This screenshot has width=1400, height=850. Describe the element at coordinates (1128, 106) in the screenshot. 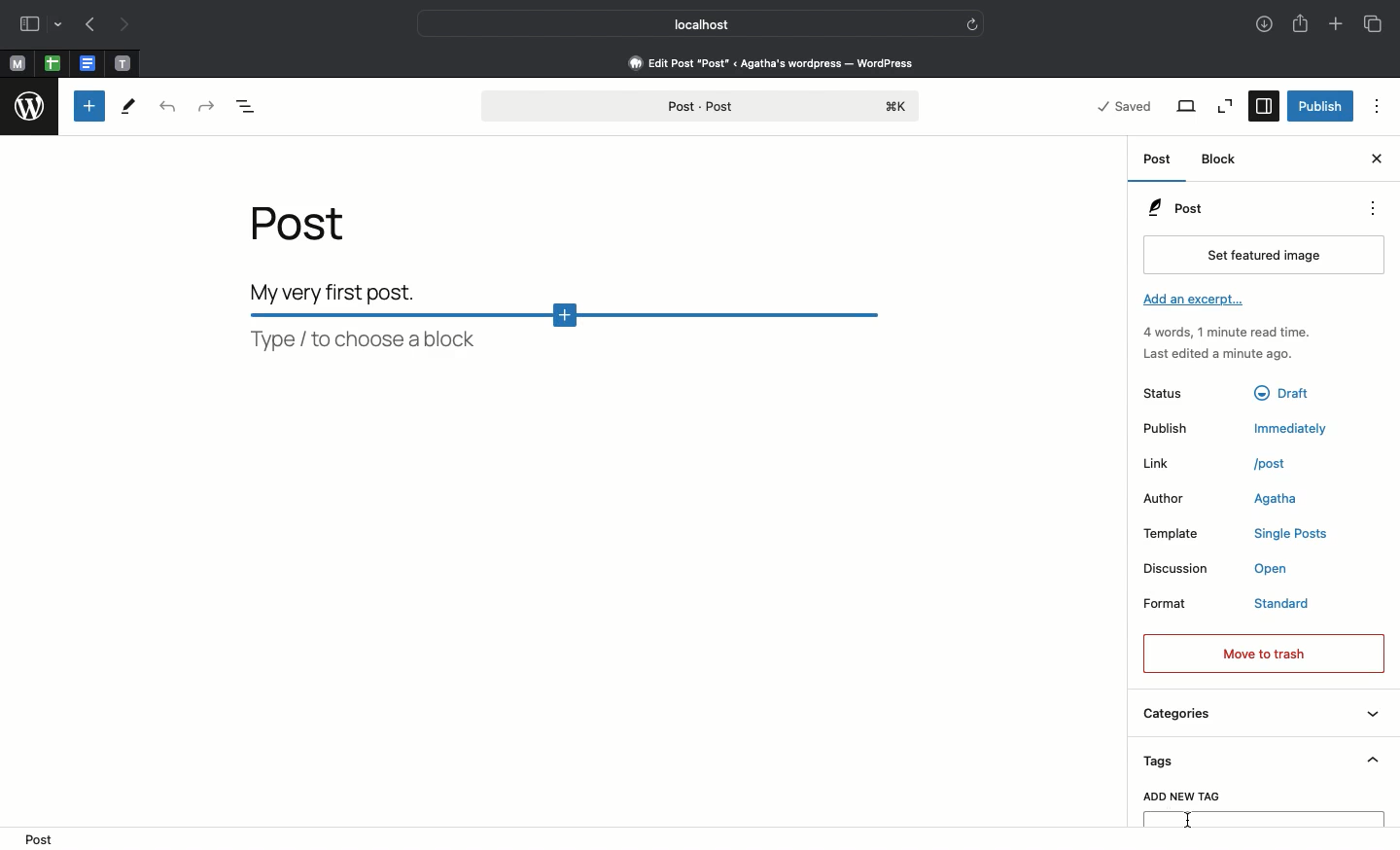

I see `Saved` at that location.